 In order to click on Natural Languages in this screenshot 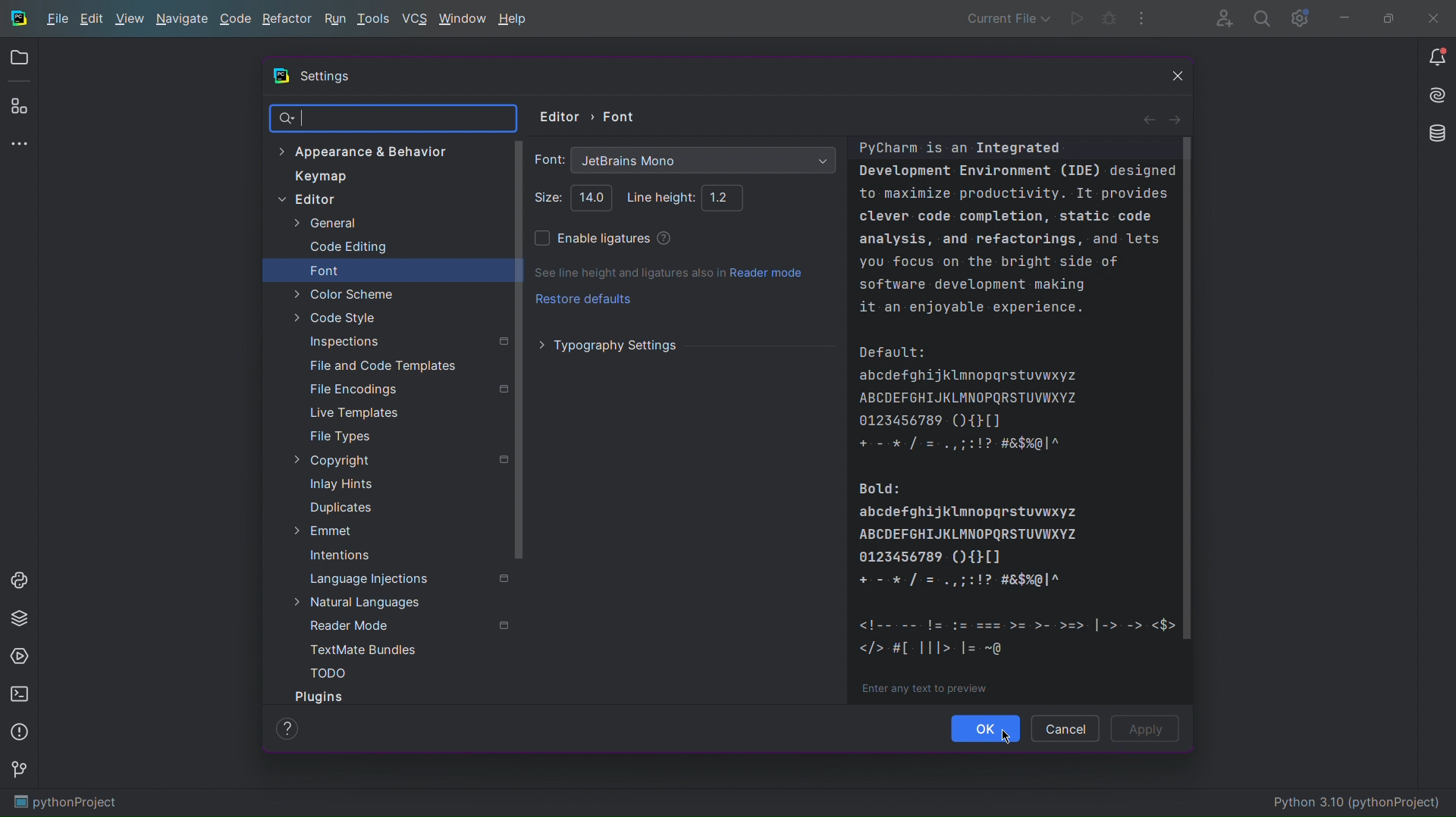, I will do `click(368, 602)`.